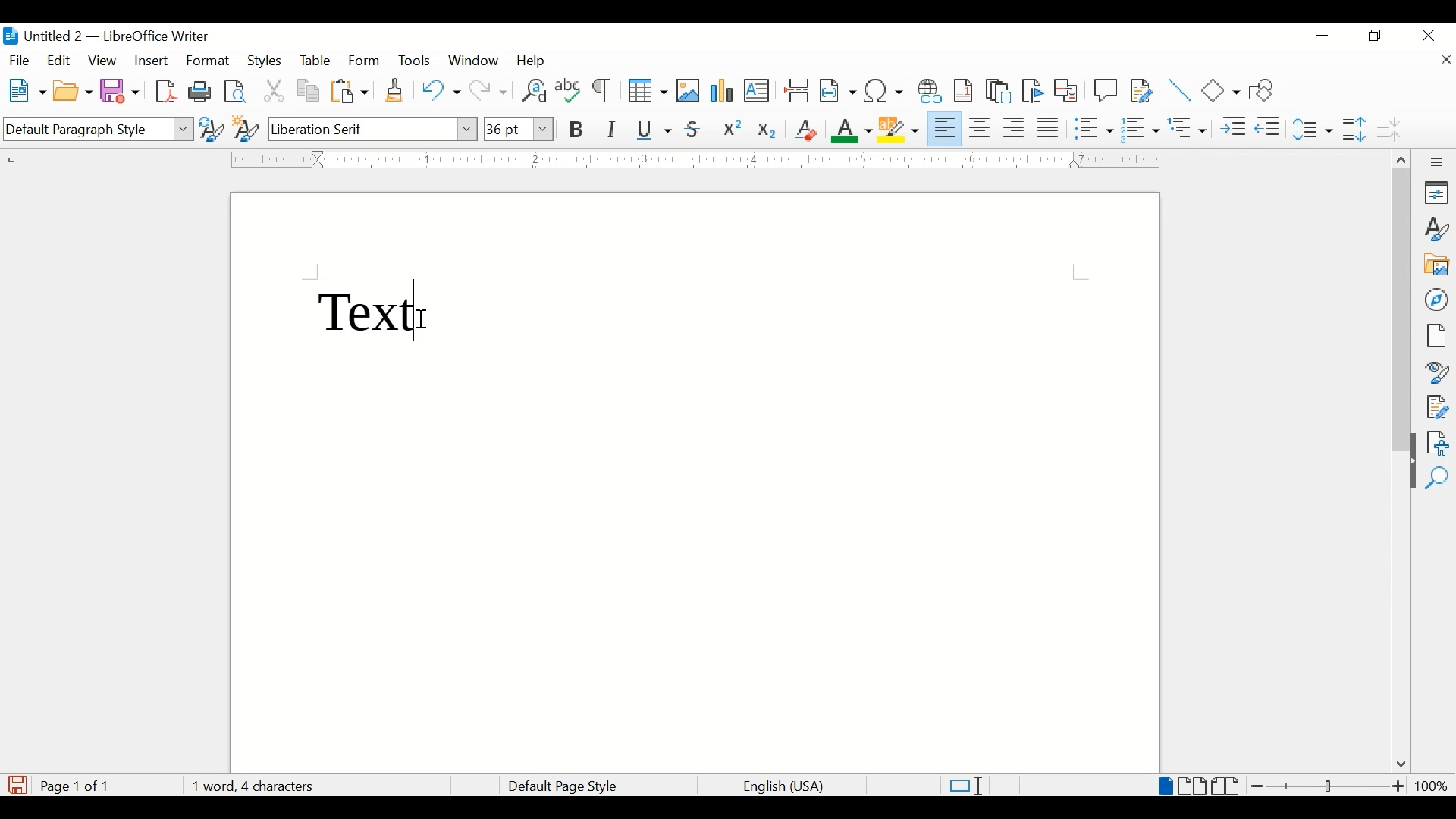 The width and height of the screenshot is (1456, 819). Describe the element at coordinates (315, 61) in the screenshot. I see `table` at that location.